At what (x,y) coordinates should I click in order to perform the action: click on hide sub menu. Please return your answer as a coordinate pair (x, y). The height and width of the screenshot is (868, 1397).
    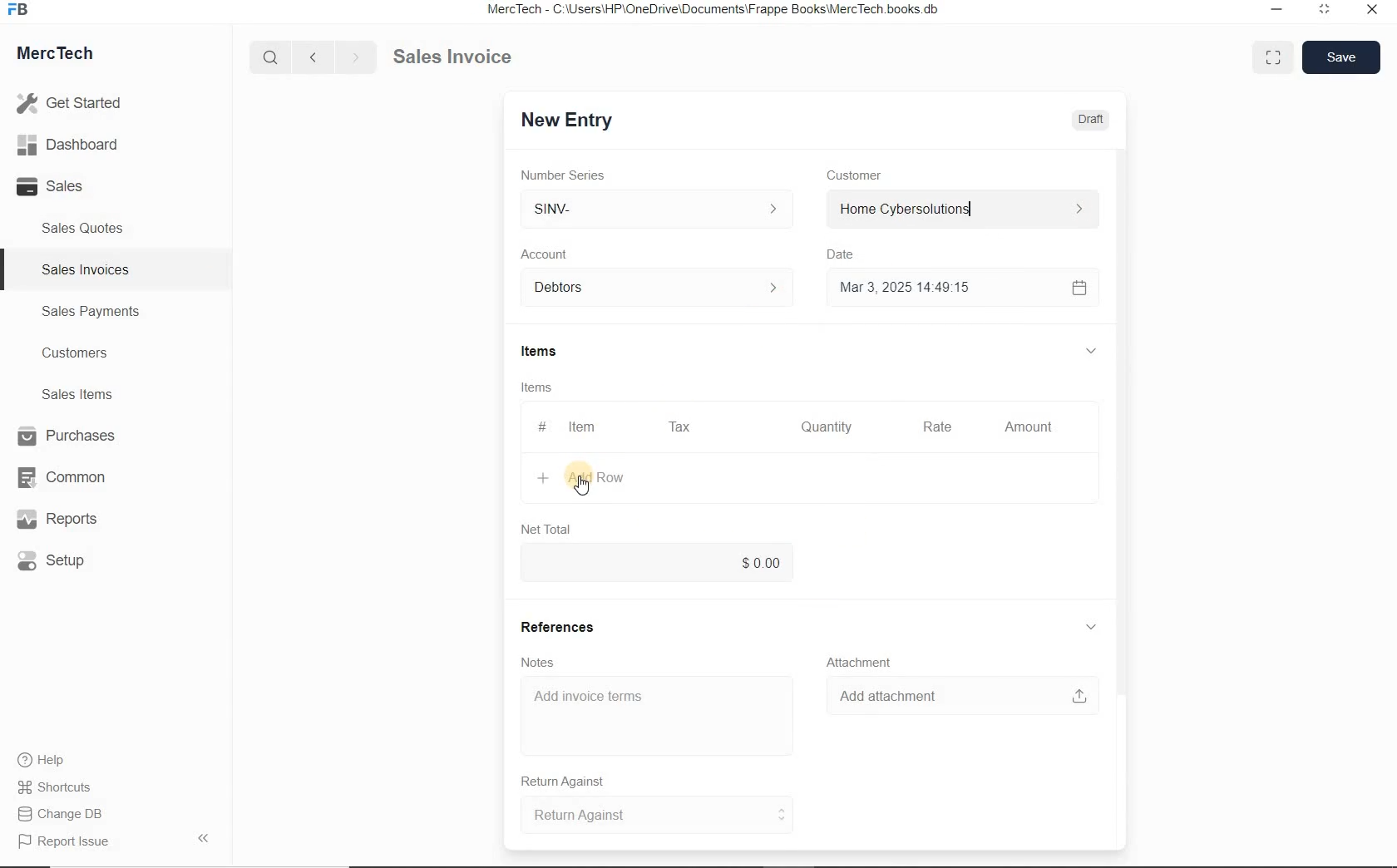
    Looking at the image, I should click on (1091, 628).